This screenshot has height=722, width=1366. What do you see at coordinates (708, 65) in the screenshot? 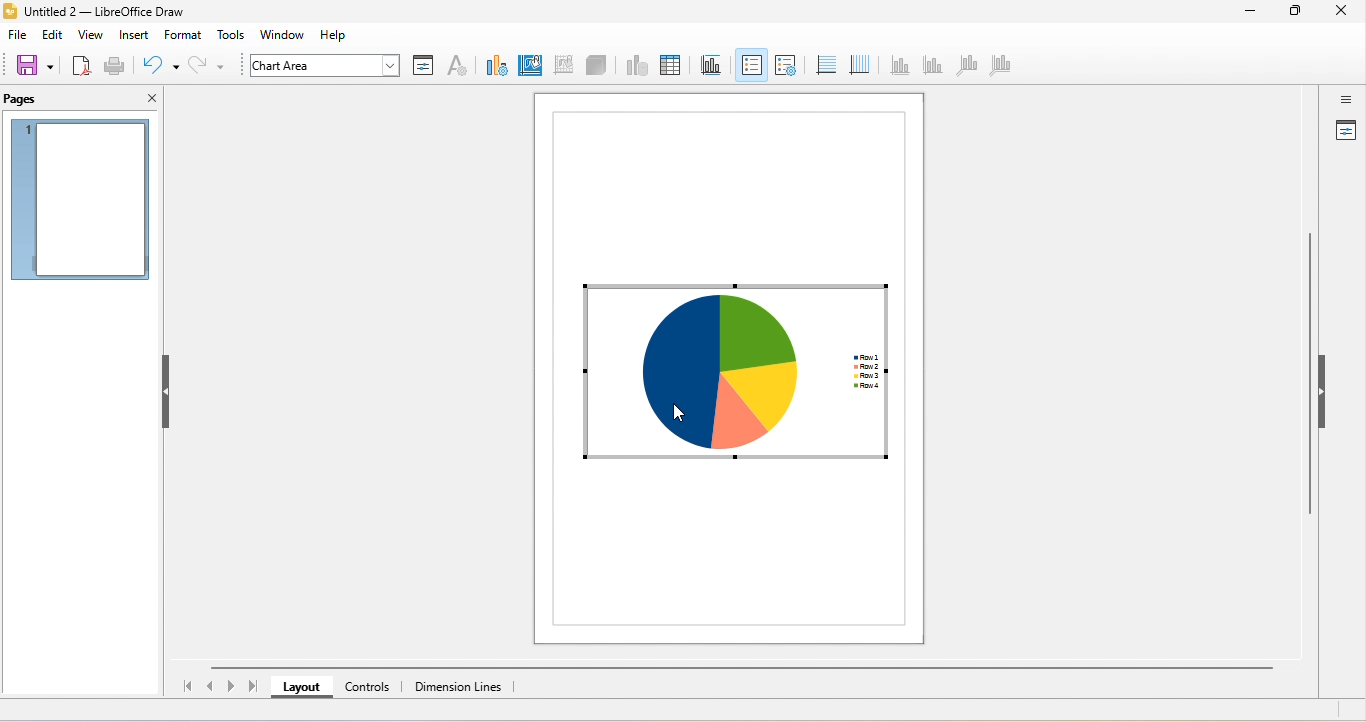
I see `titles` at bounding box center [708, 65].